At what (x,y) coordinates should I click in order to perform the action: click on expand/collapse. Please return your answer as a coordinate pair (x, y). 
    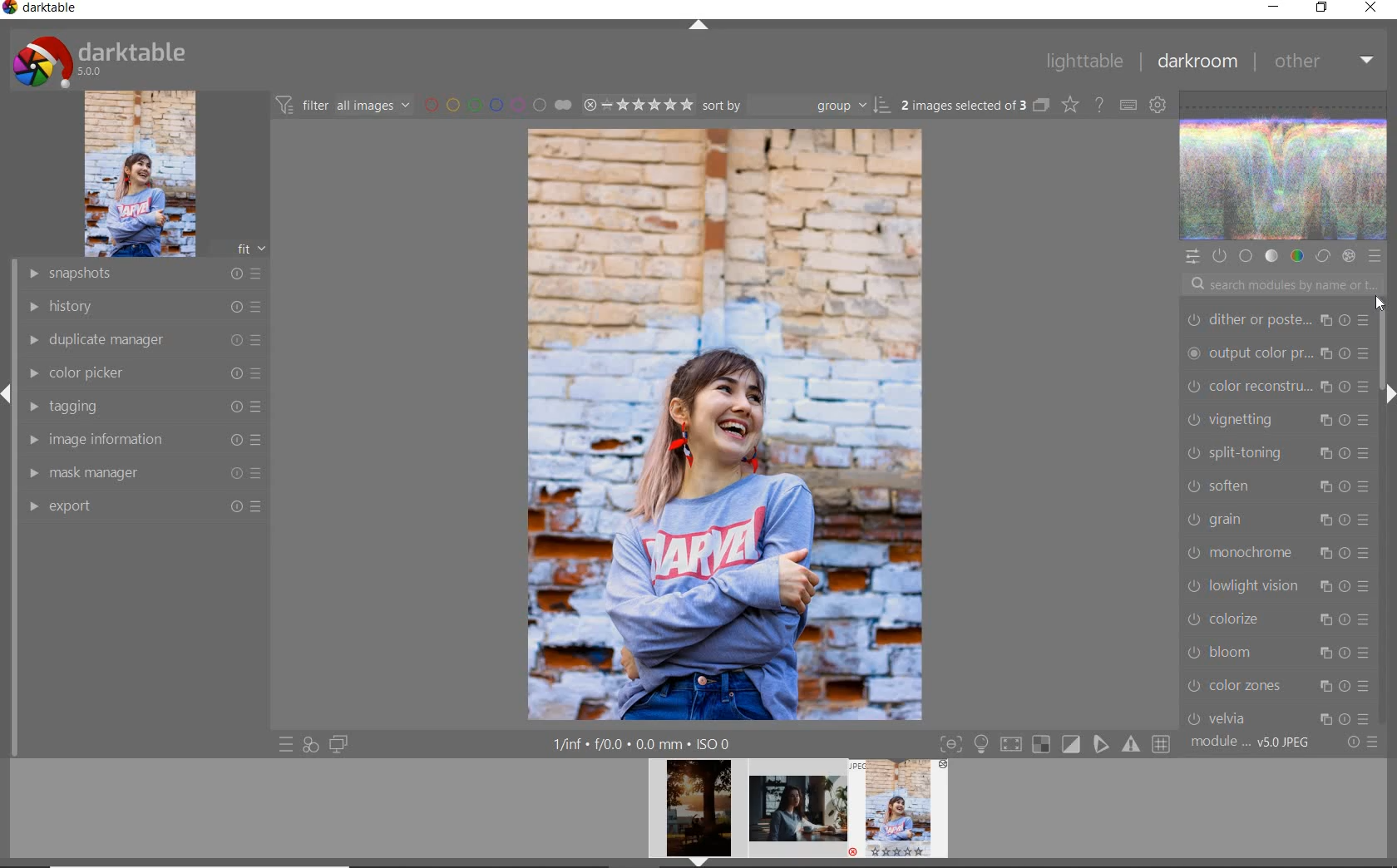
    Looking at the image, I should click on (1386, 393).